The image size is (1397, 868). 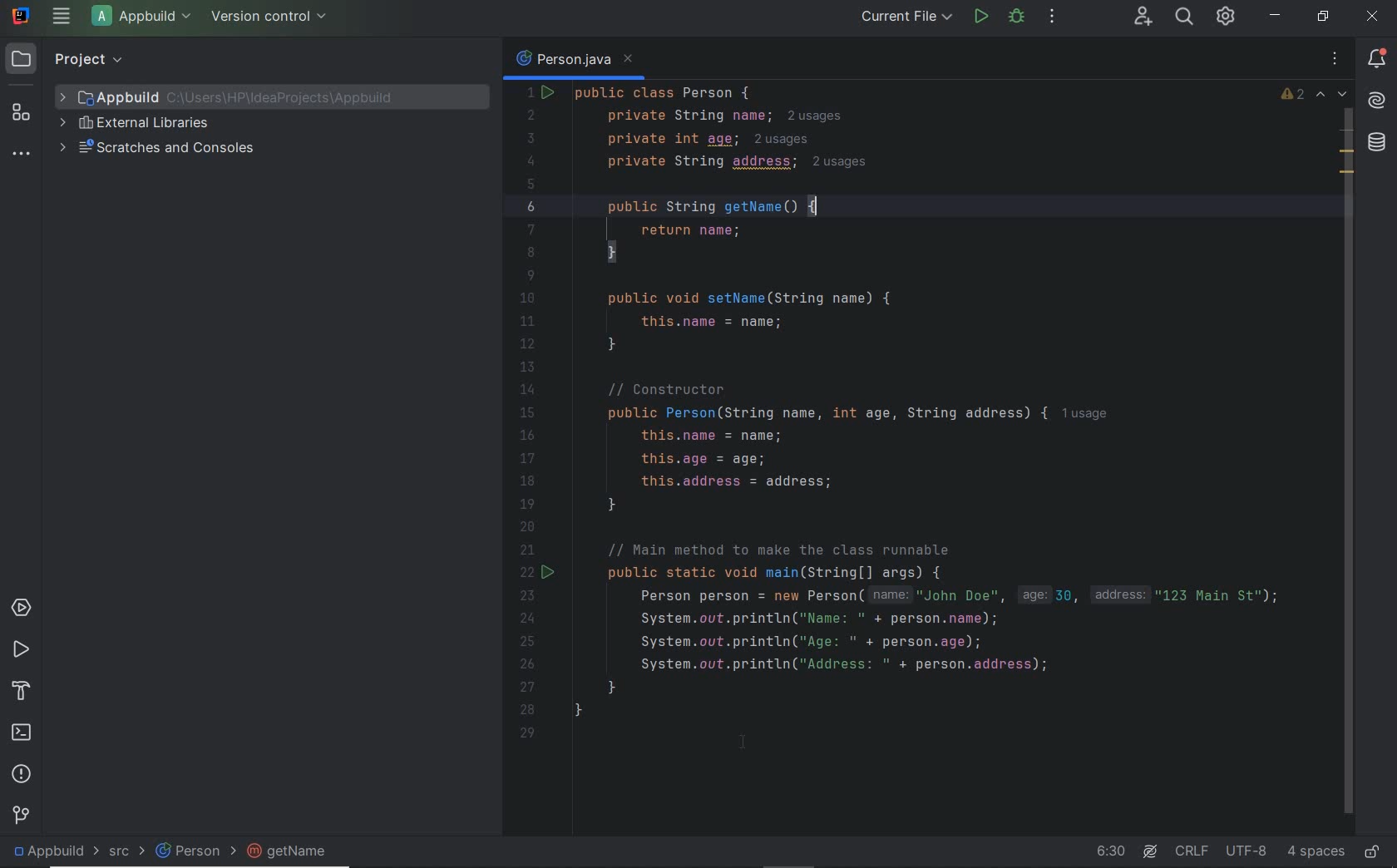 I want to click on person.java, so click(x=573, y=60).